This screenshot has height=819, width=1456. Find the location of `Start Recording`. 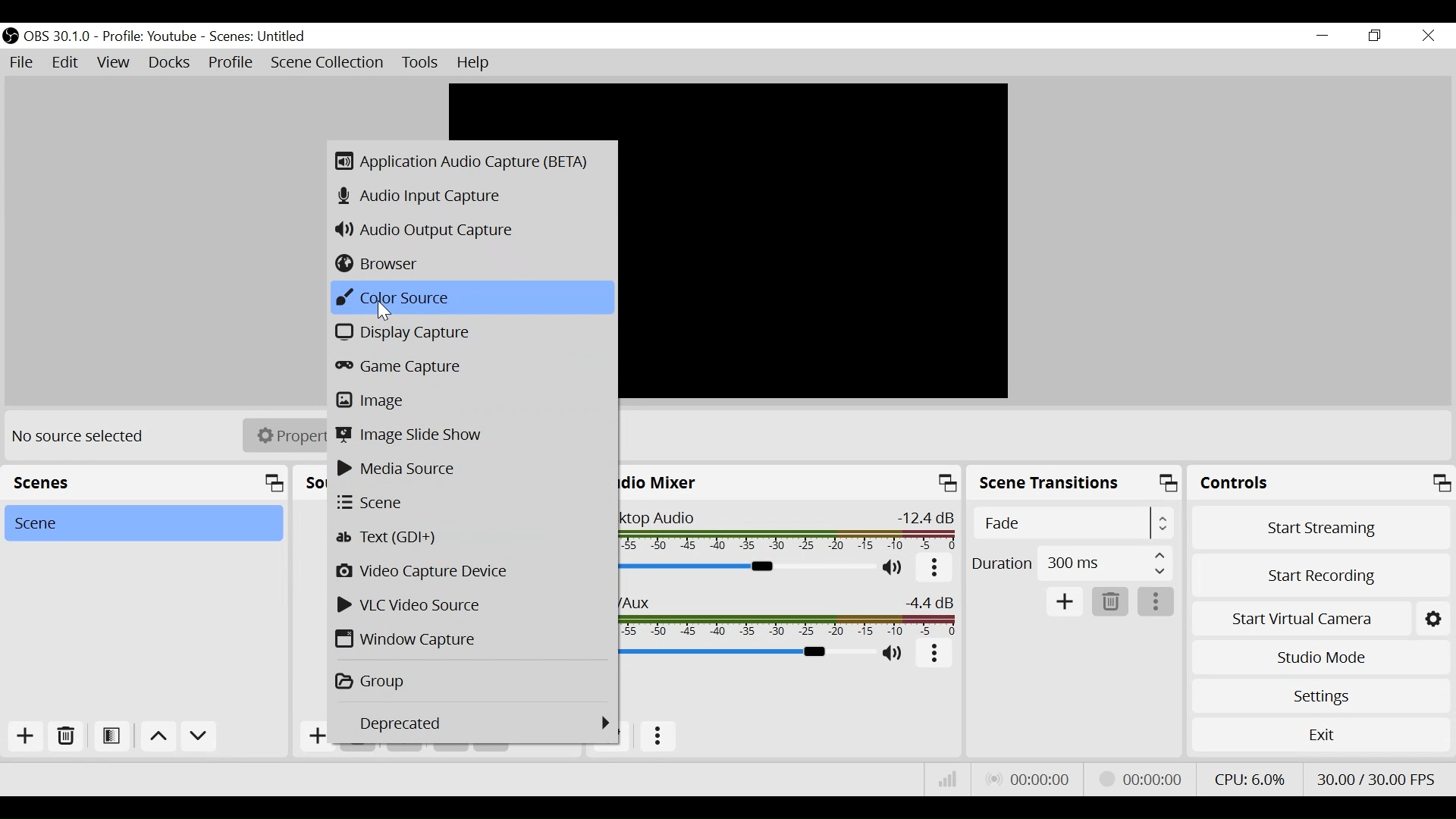

Start Recording is located at coordinates (1321, 577).